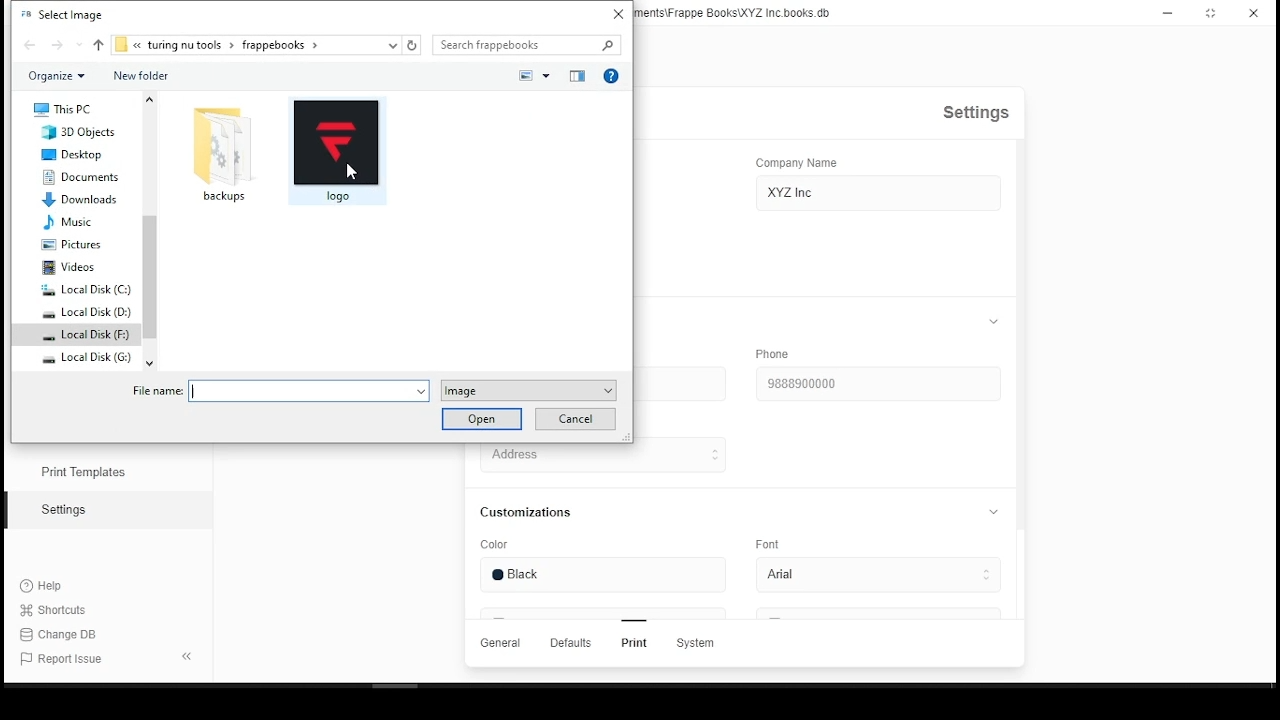 This screenshot has width=1280, height=720. Describe the element at coordinates (86, 312) in the screenshot. I see `Local Disk (D:)` at that location.